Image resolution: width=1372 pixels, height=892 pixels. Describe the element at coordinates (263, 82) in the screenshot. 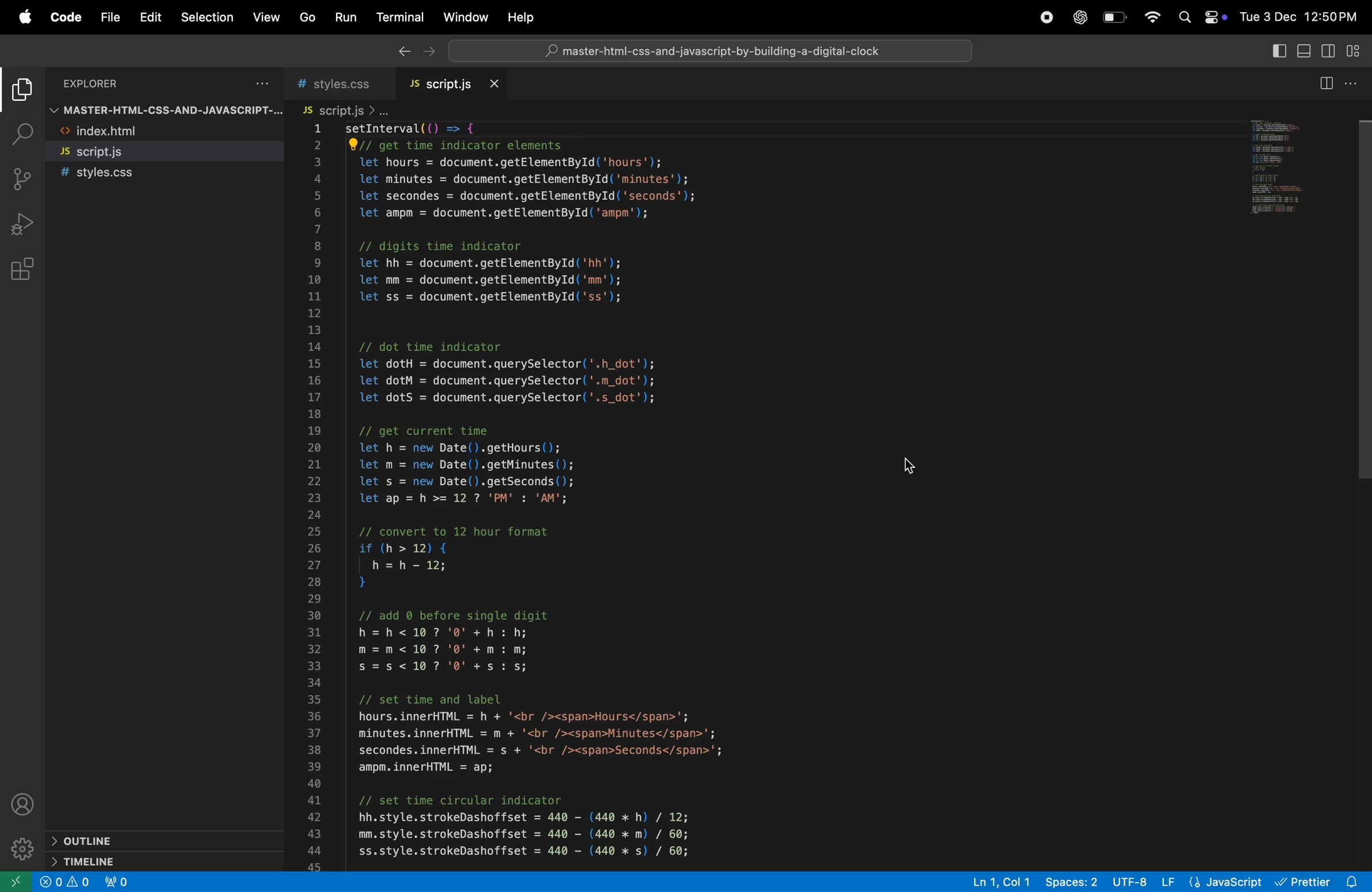

I see `options` at that location.